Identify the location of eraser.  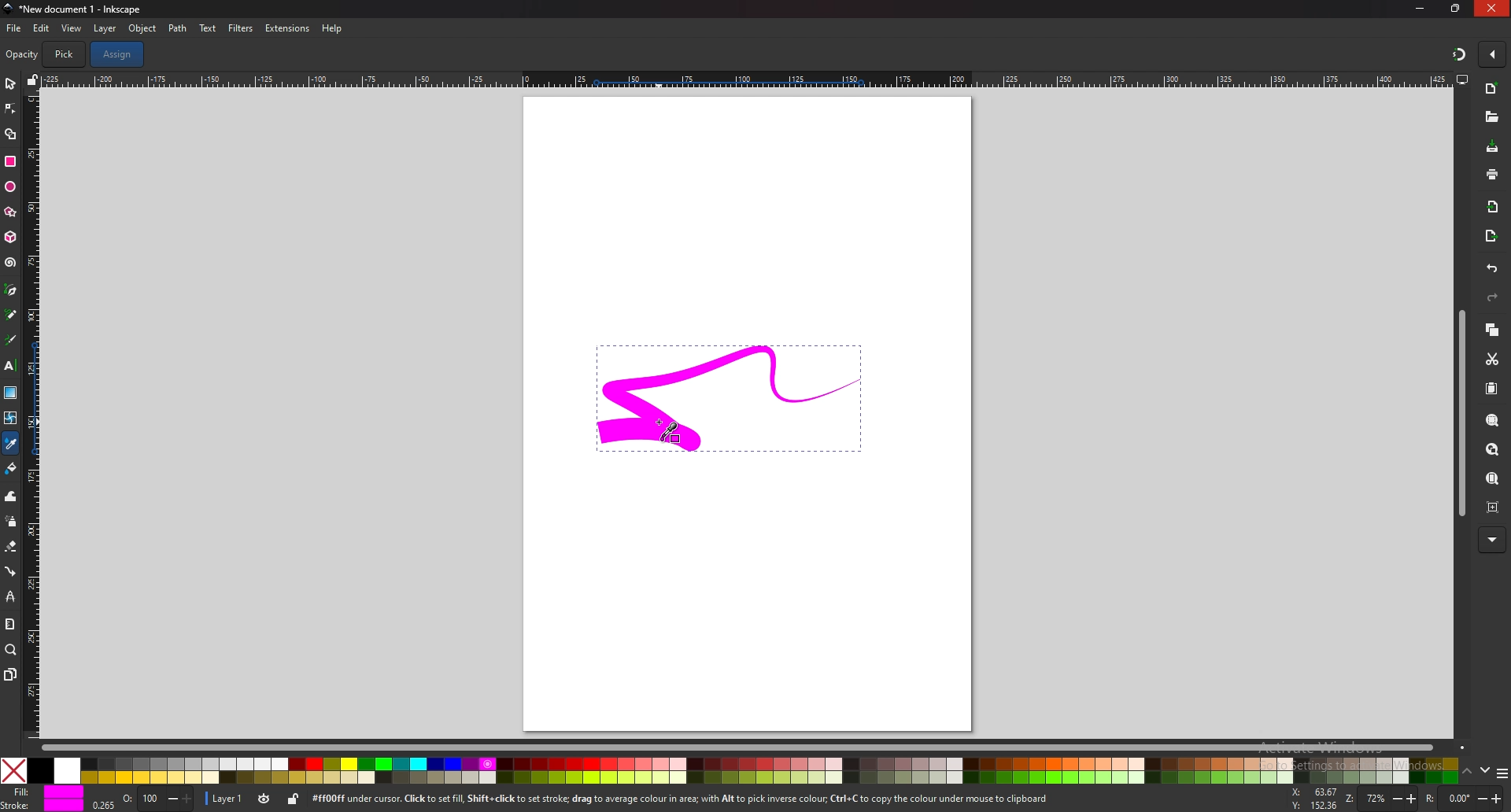
(11, 547).